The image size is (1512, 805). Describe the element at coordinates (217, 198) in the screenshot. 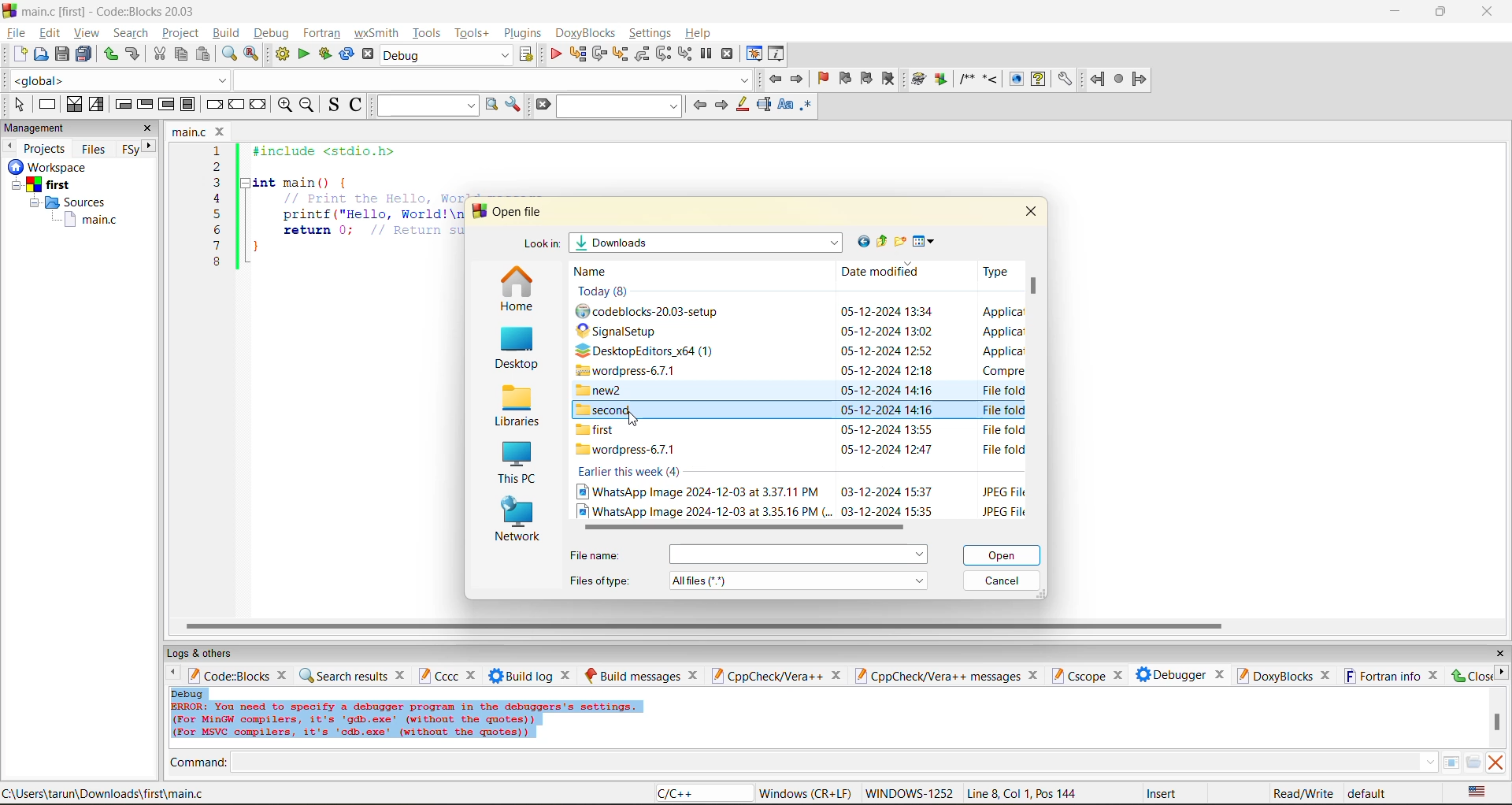

I see `4` at that location.